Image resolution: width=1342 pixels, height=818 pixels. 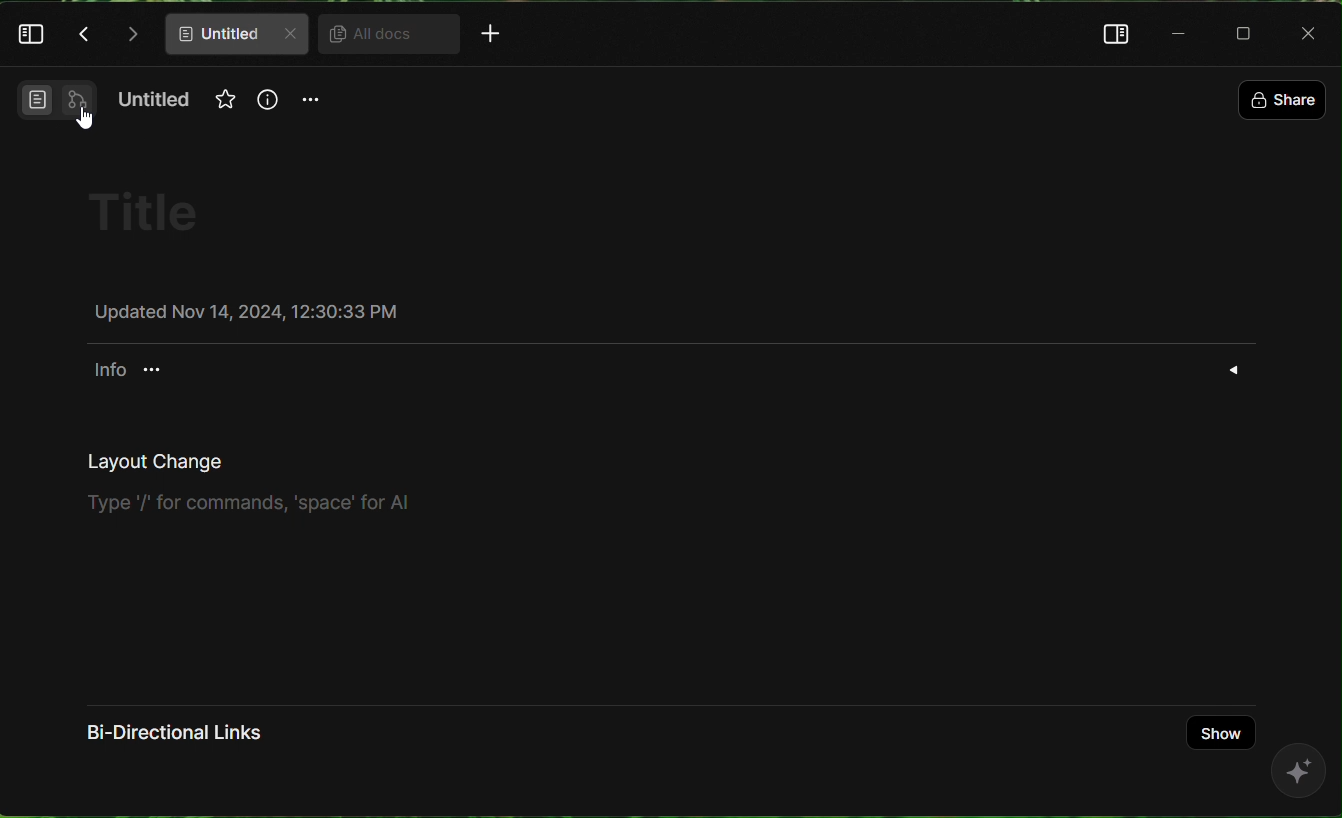 I want to click on Project info, so click(x=124, y=369).